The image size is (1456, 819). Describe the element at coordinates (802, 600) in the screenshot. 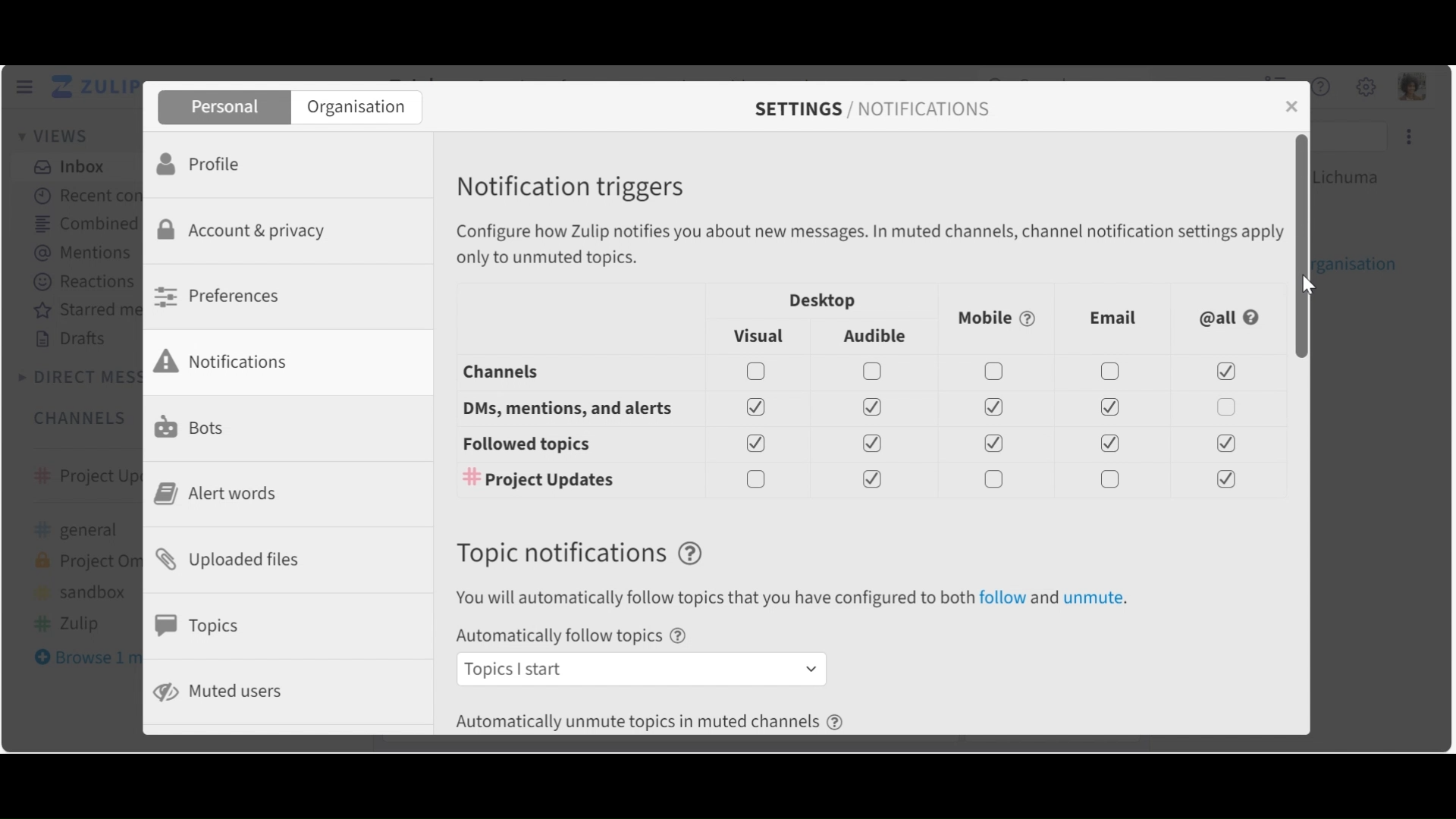

I see `text` at that location.